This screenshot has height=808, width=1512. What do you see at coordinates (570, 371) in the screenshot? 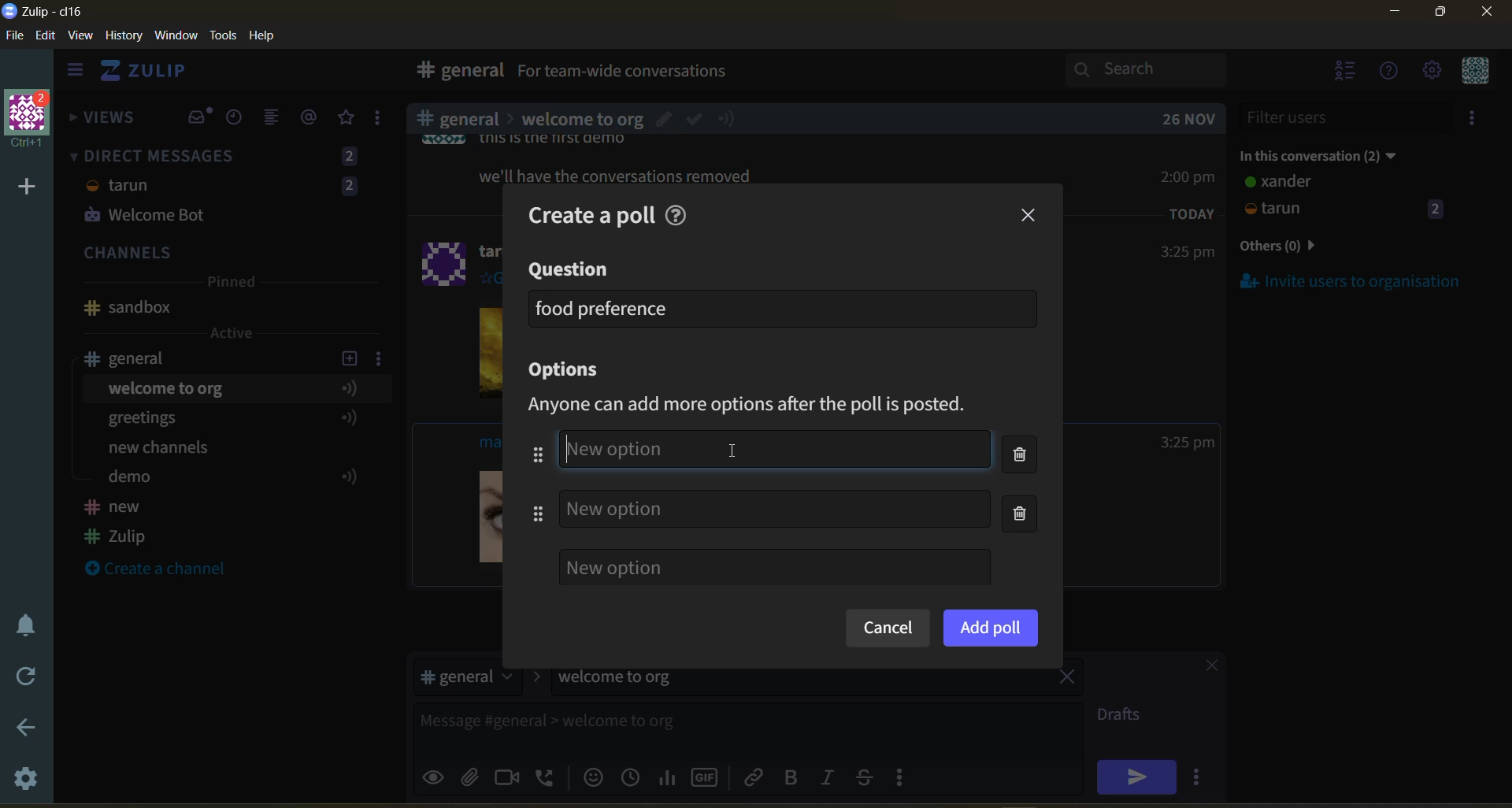
I see `options` at bounding box center [570, 371].